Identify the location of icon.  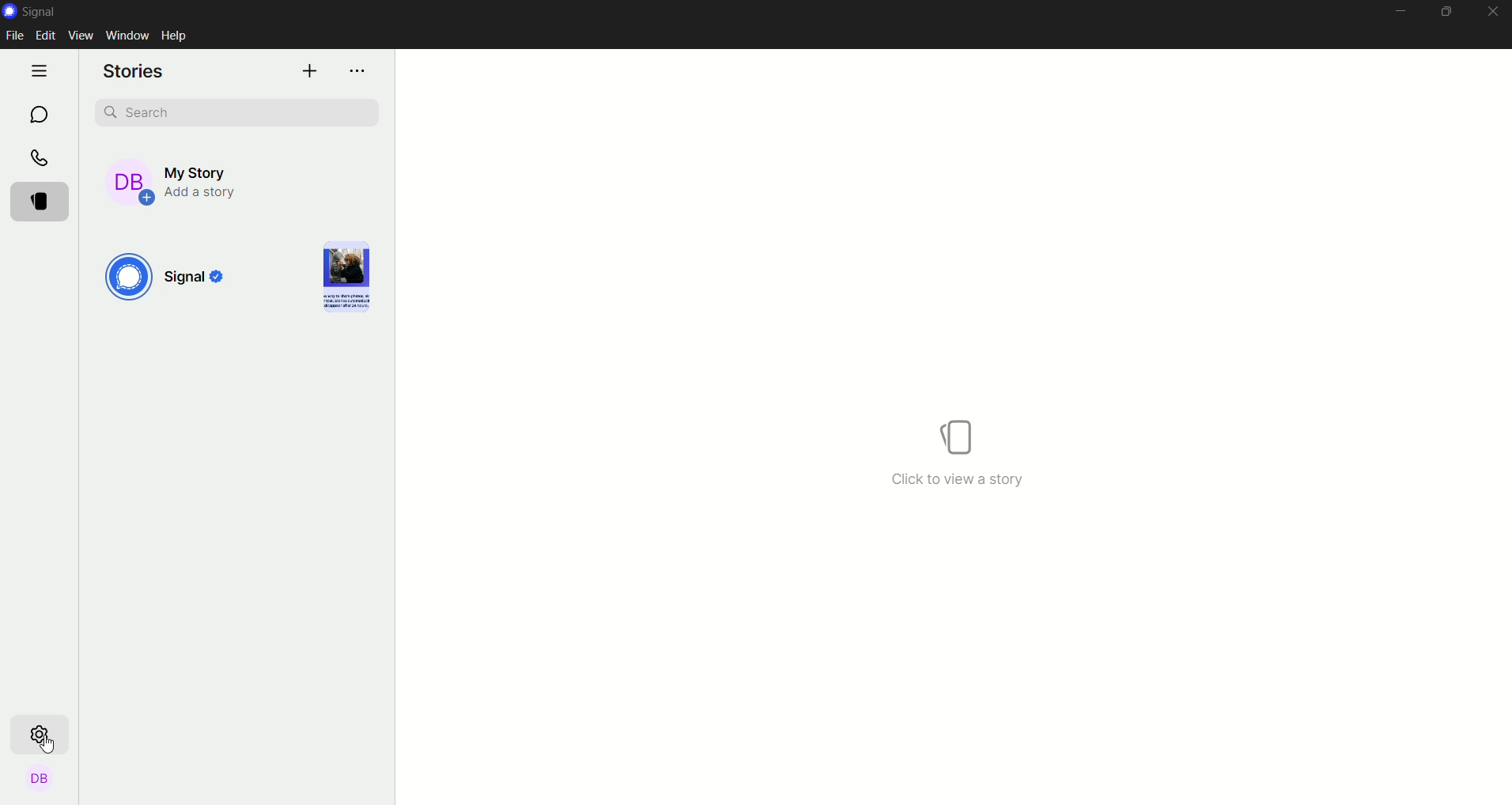
(953, 434).